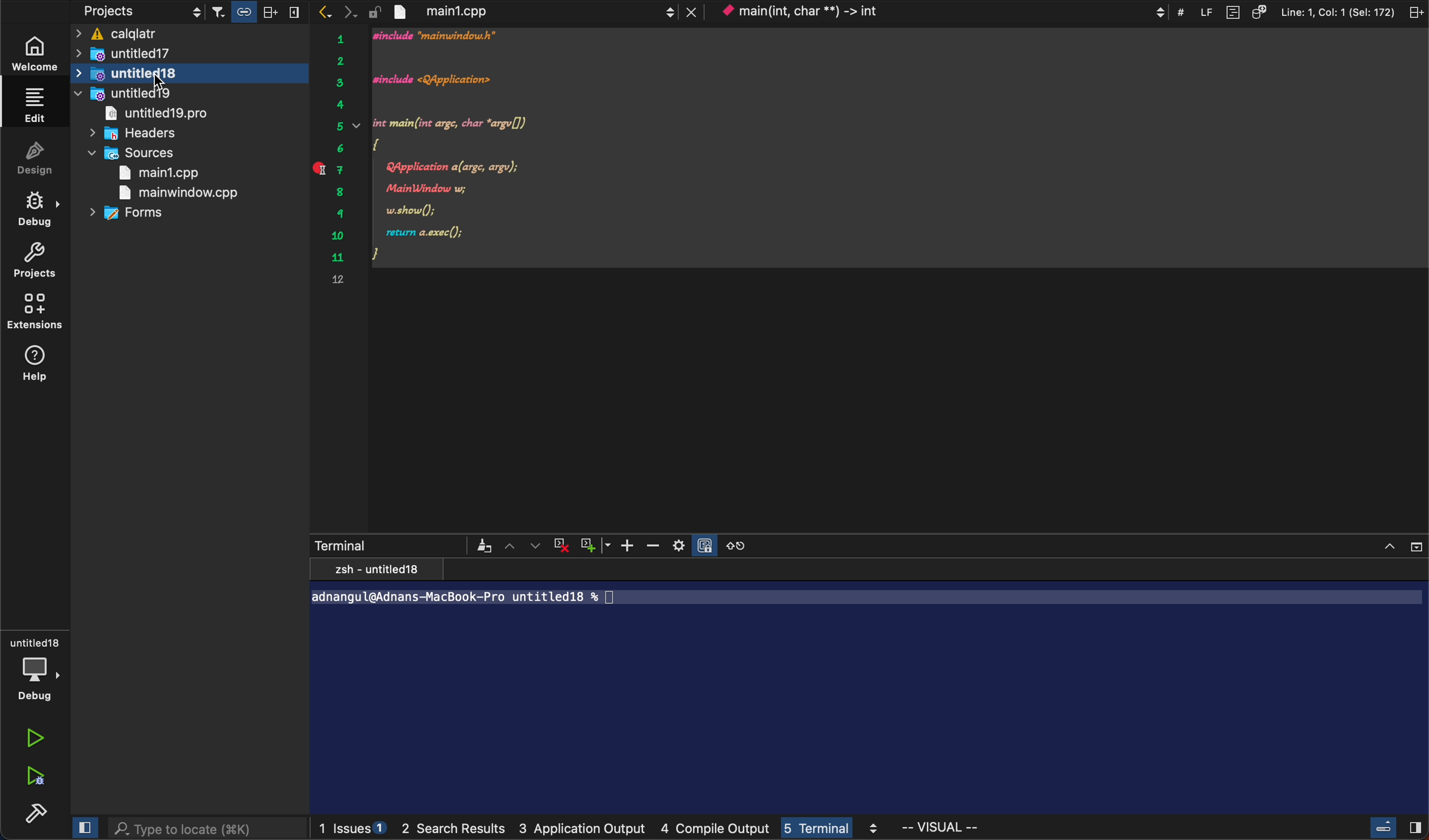 Image resolution: width=1429 pixels, height=840 pixels. I want to click on document, so click(1231, 11).